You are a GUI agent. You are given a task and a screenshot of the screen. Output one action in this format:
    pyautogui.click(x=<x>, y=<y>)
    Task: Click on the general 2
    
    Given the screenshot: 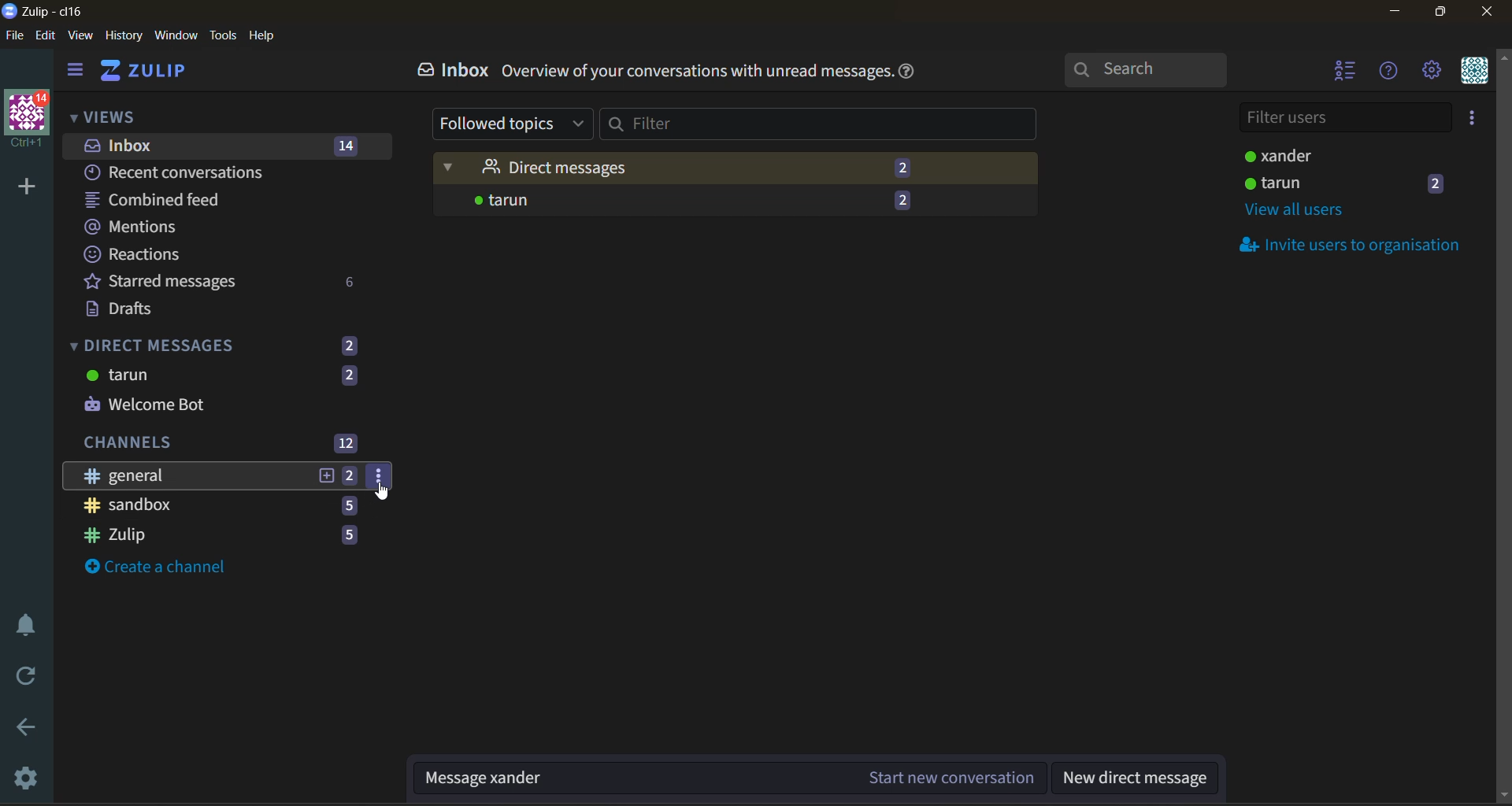 What is the action you would take?
    pyautogui.click(x=230, y=477)
    